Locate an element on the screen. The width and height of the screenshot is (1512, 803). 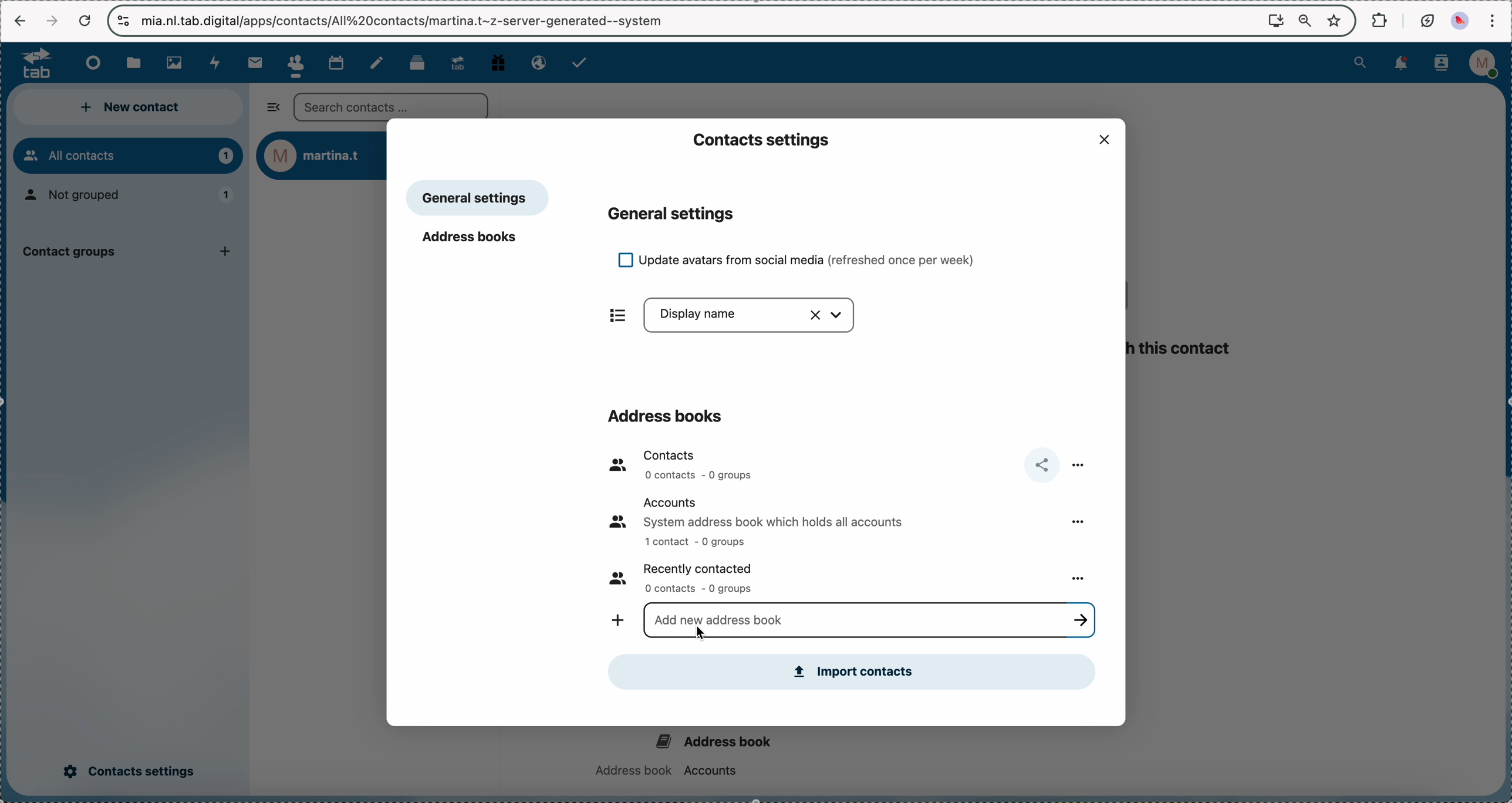
more options is located at coordinates (1081, 463).